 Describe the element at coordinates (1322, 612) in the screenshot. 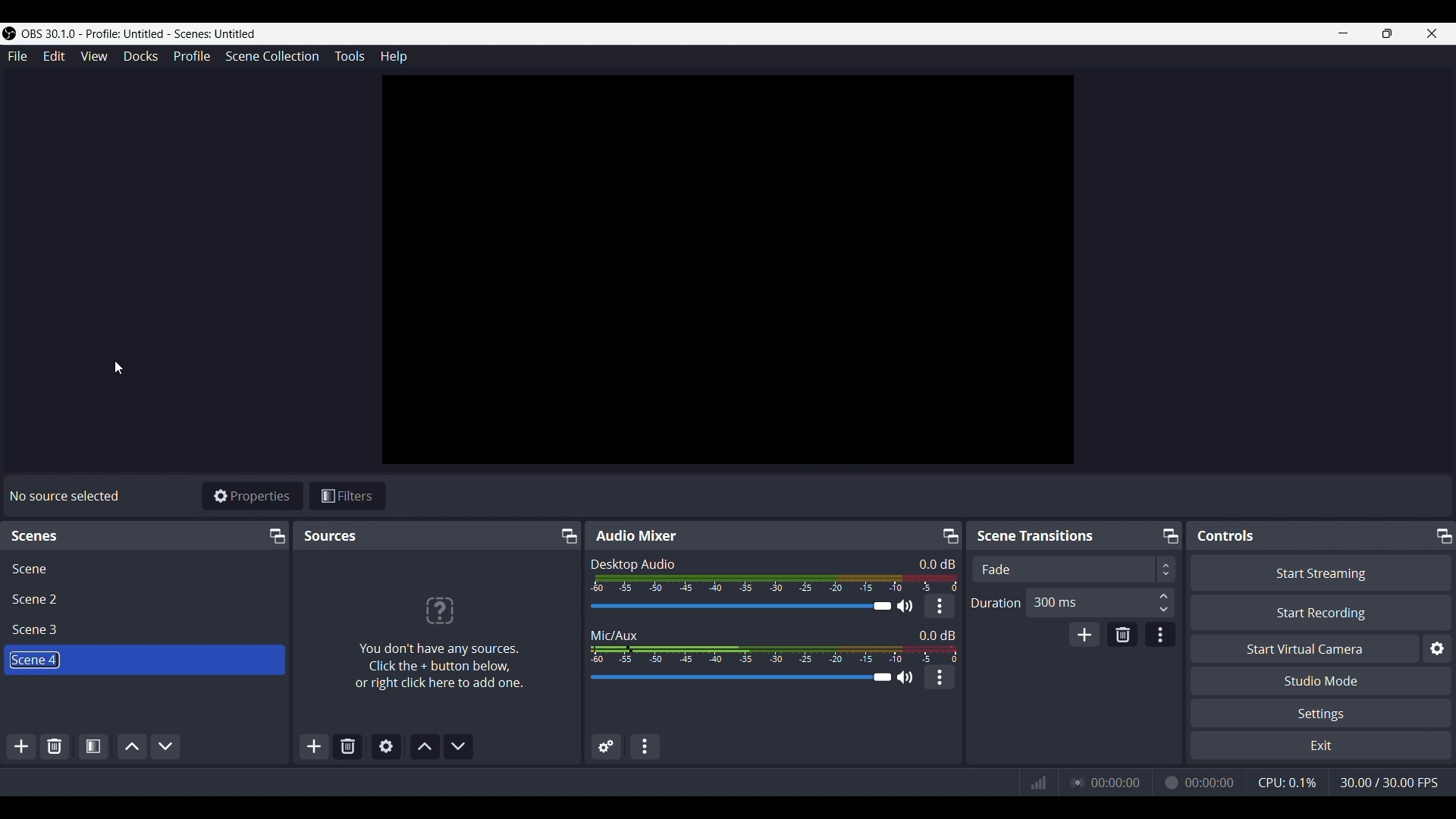

I see `Start Recording` at that location.